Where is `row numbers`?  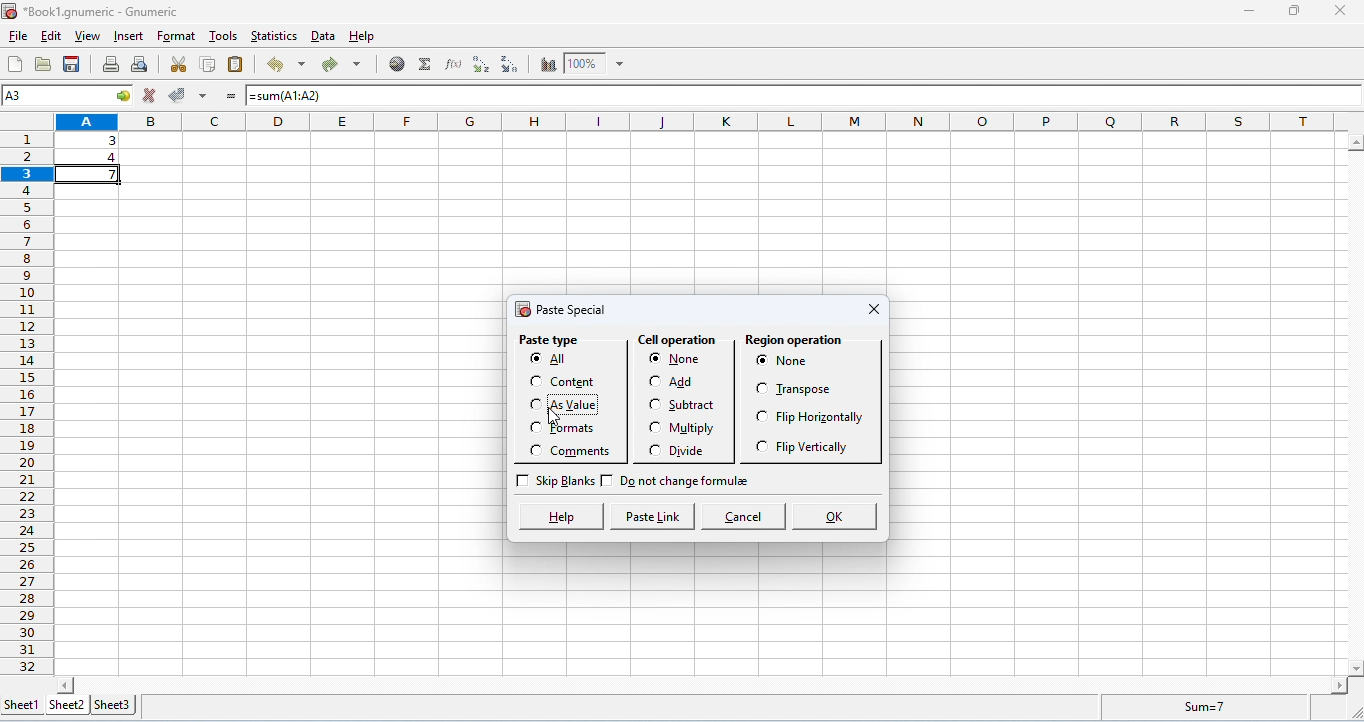
row numbers is located at coordinates (26, 398).